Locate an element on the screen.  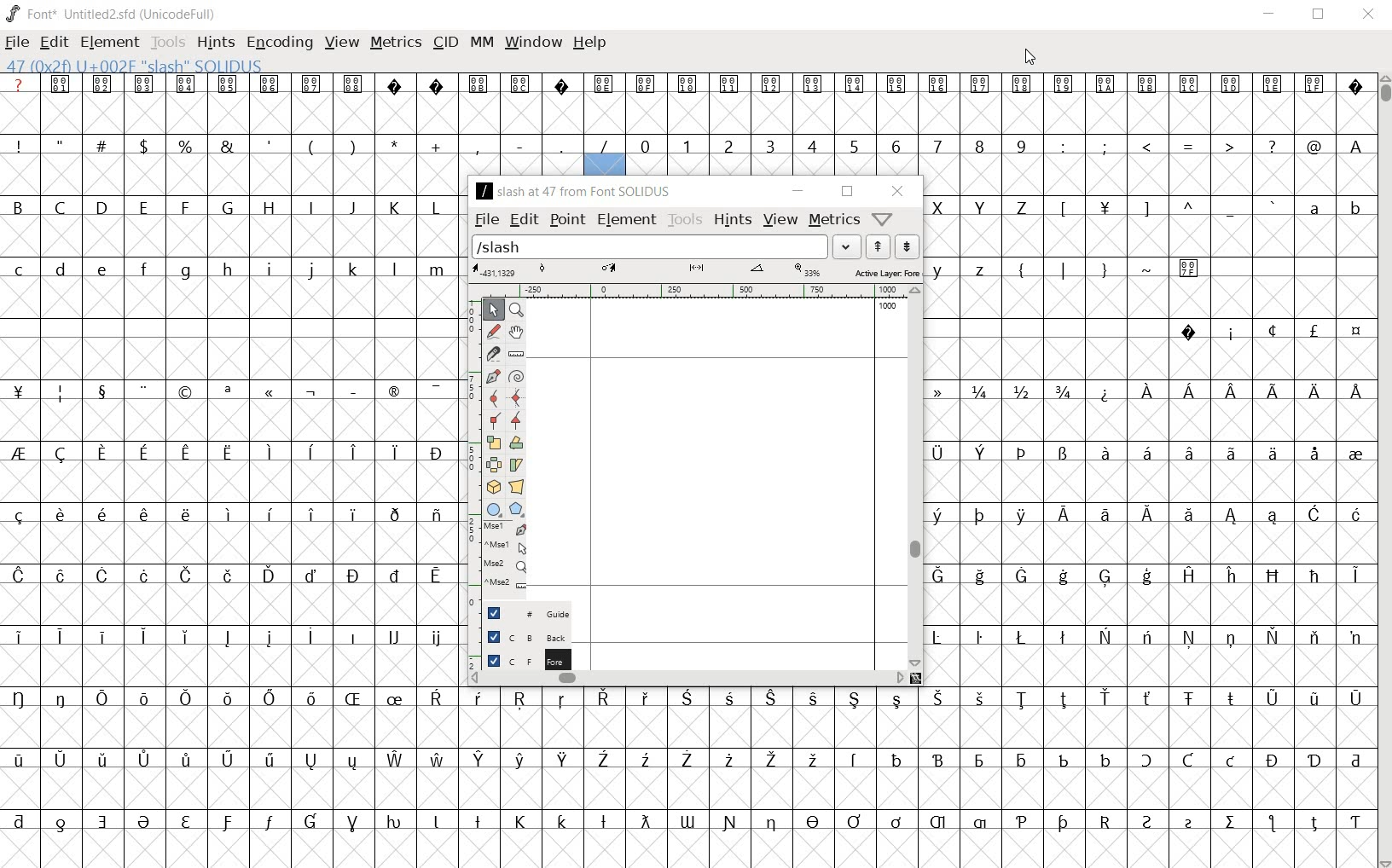
element is located at coordinates (625, 219).